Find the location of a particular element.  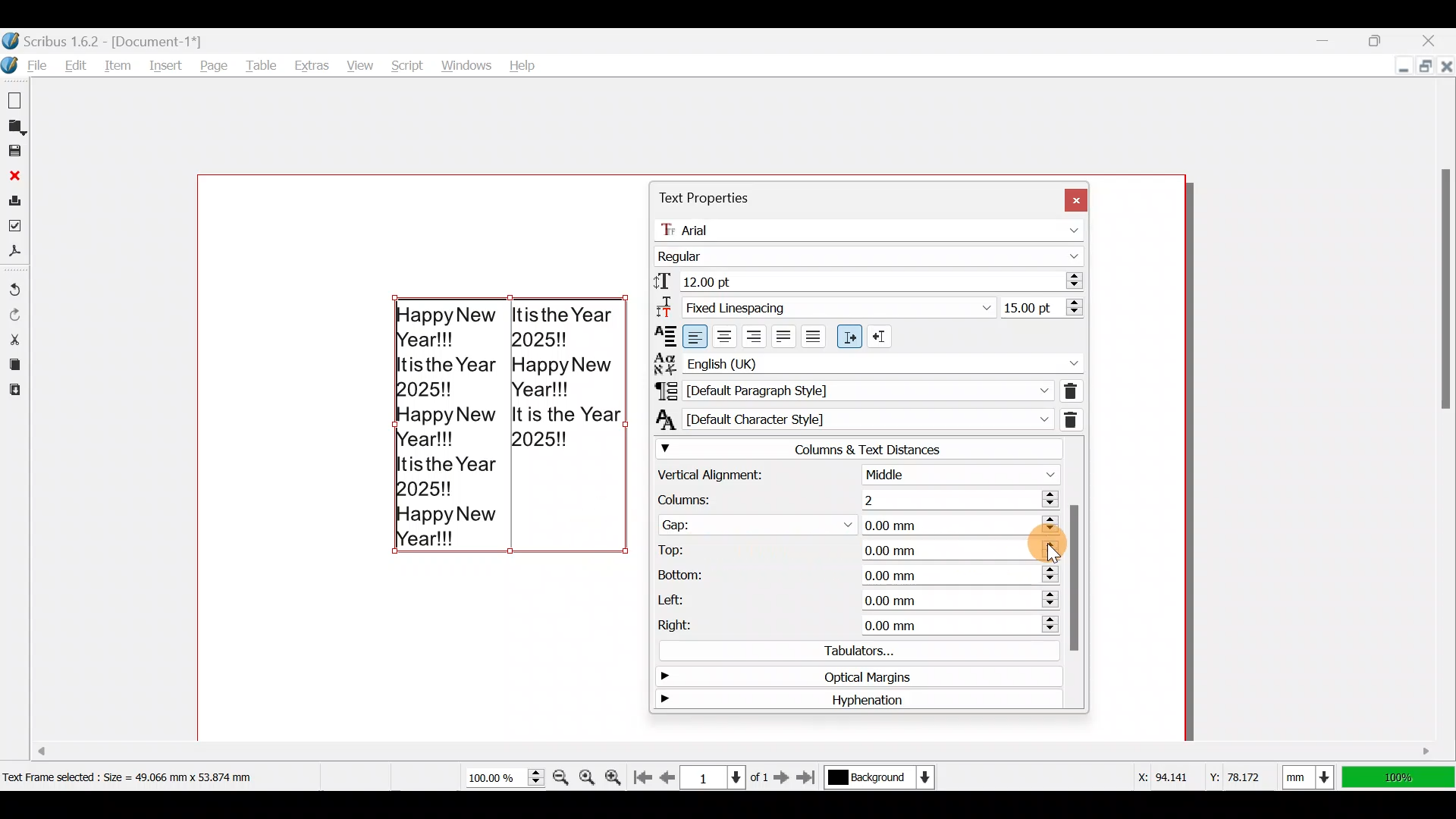

Align text forced justified is located at coordinates (819, 337).